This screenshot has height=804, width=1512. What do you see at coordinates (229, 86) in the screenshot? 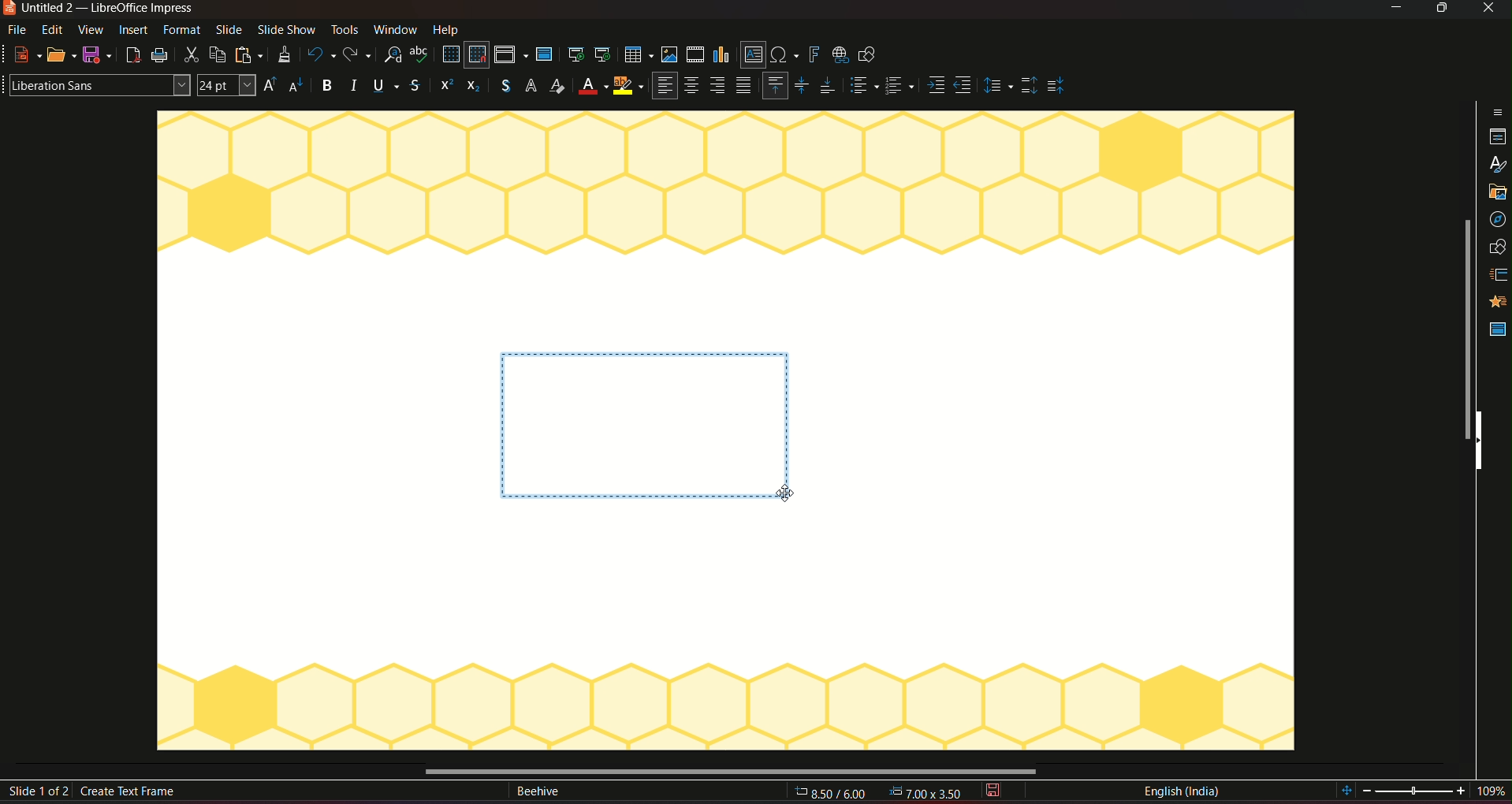
I see `font size` at bounding box center [229, 86].